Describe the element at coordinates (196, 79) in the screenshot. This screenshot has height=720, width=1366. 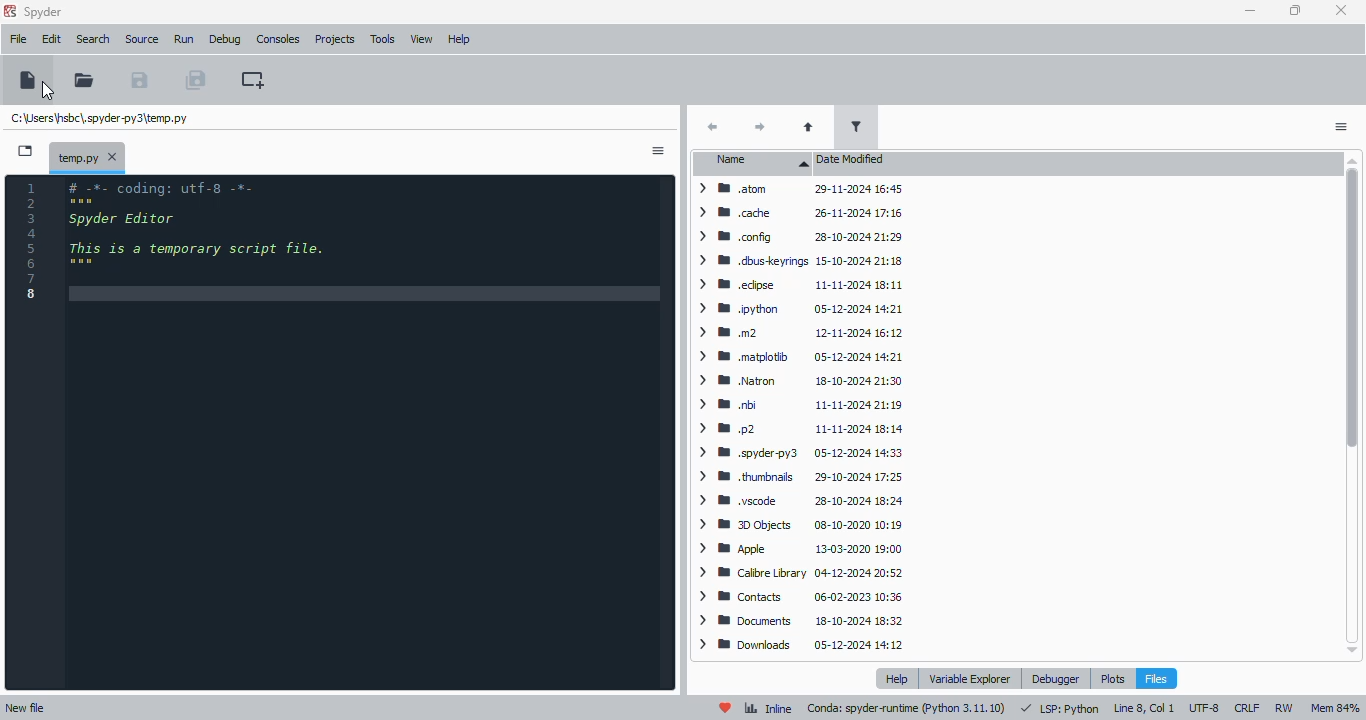
I see `save all files` at that location.